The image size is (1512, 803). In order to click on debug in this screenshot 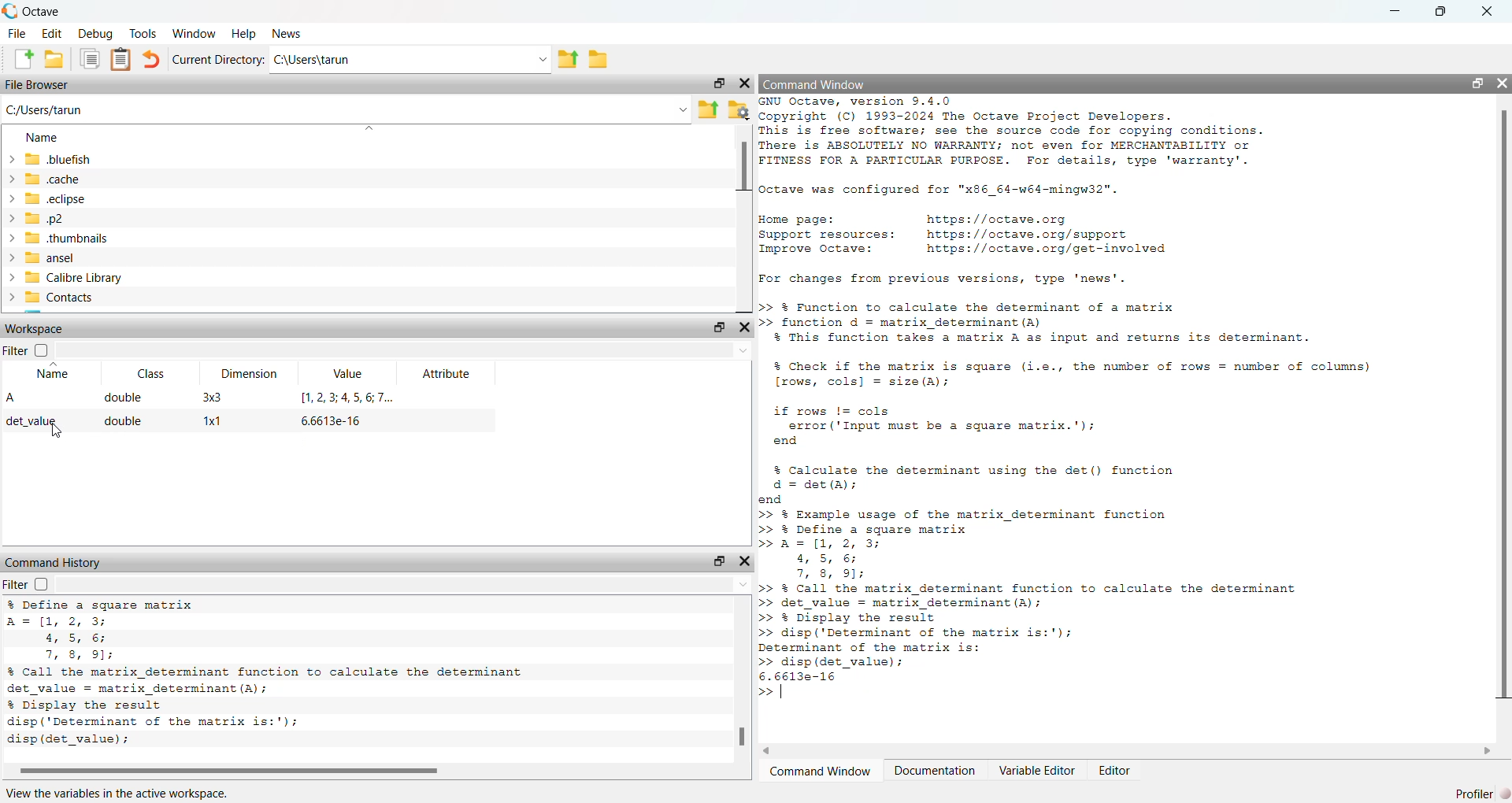, I will do `click(97, 33)`.